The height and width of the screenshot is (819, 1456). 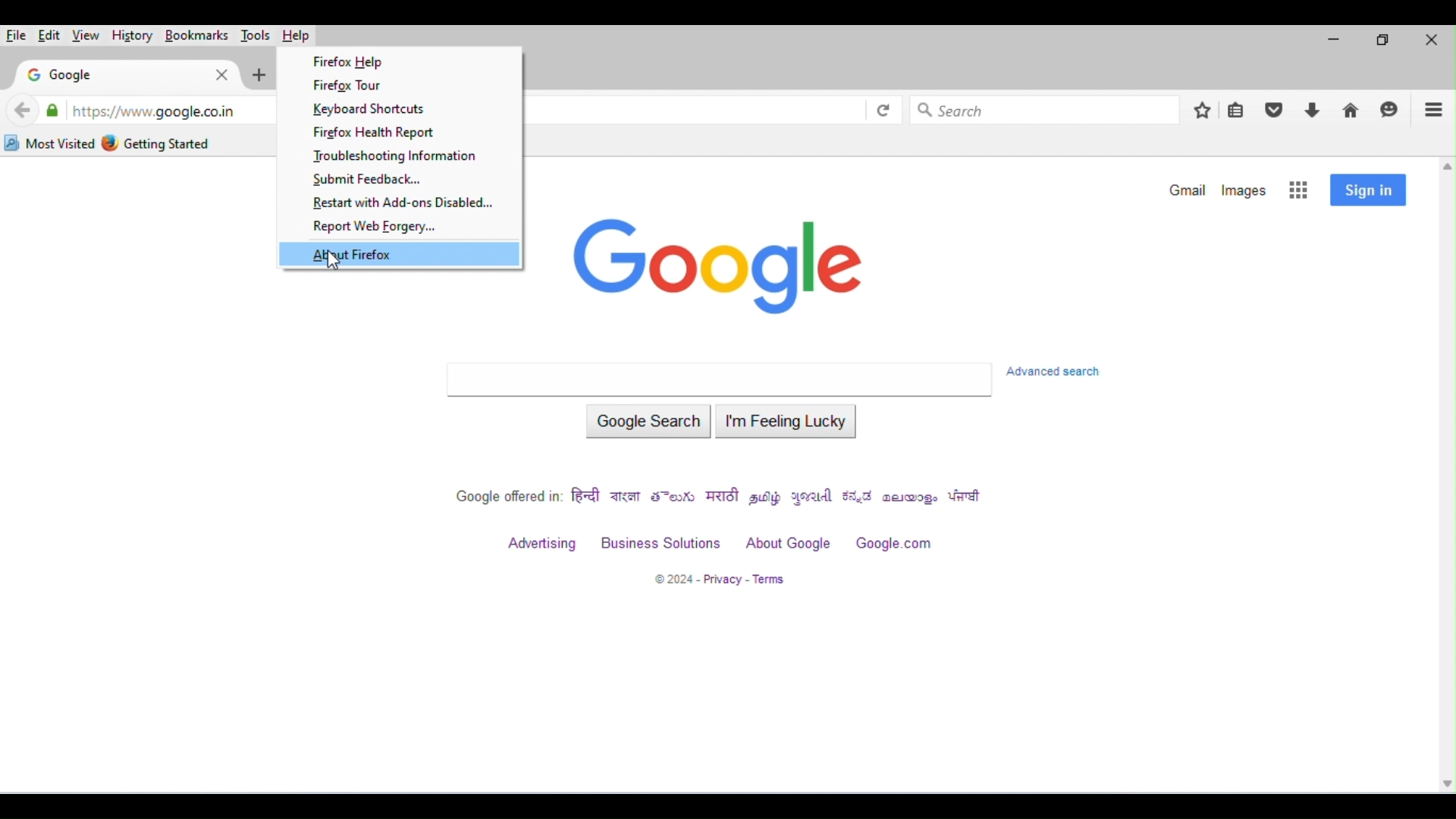 What do you see at coordinates (153, 111) in the screenshot?
I see `web address of google home page` at bounding box center [153, 111].